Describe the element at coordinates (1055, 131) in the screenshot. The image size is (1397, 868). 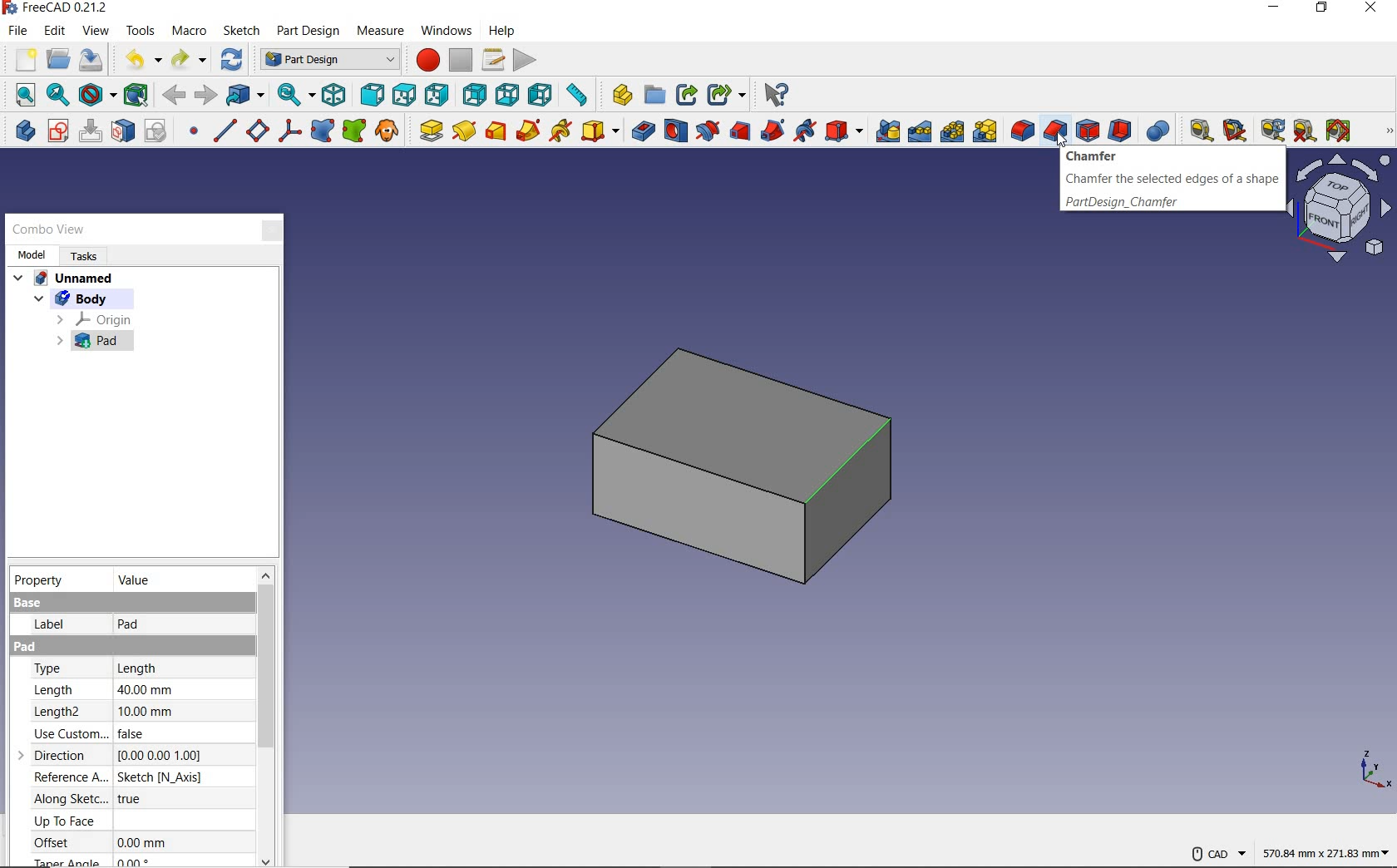
I see `chamfer` at that location.